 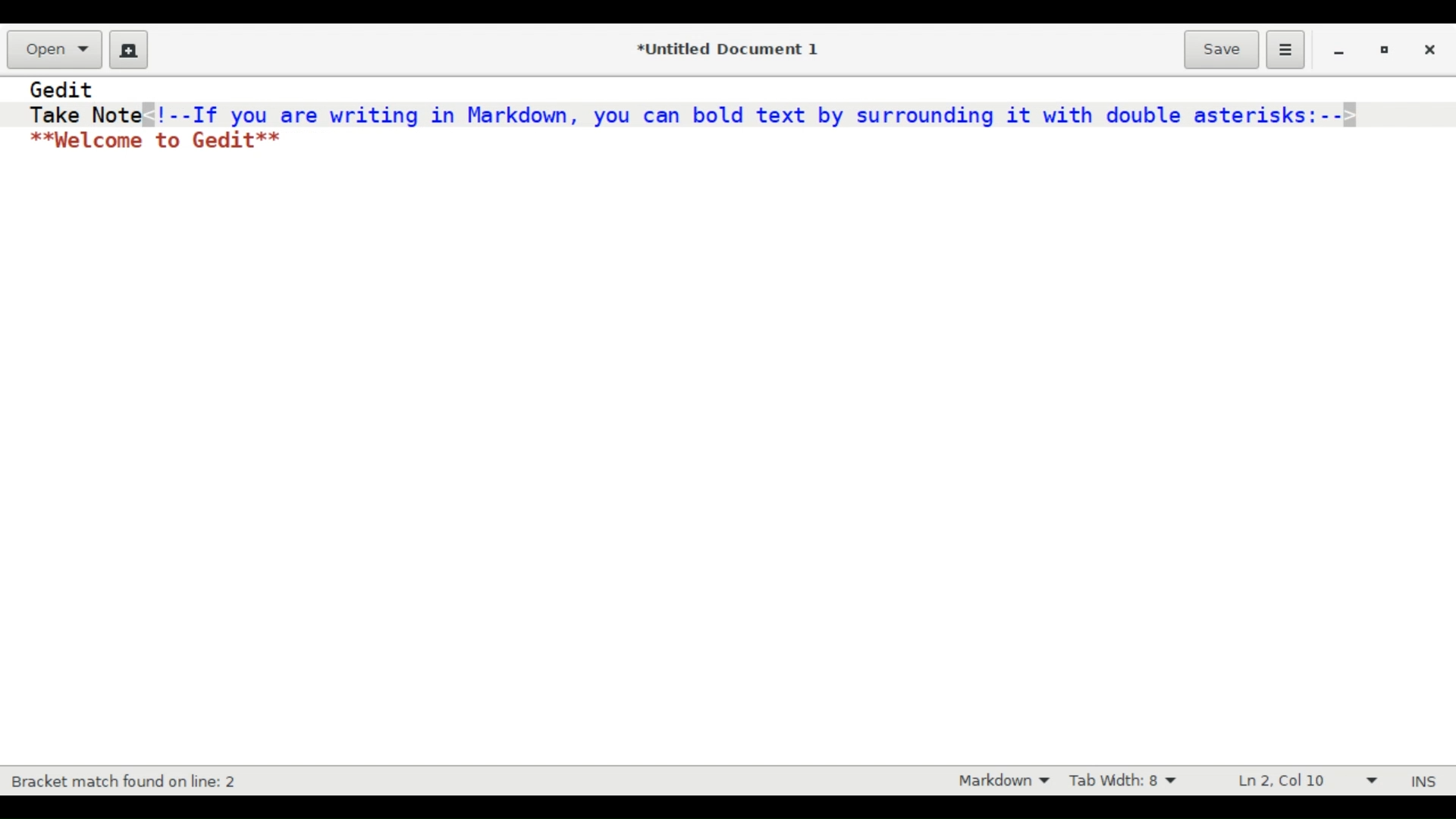 What do you see at coordinates (726, 50) in the screenshot?
I see `*Untitled Document 1` at bounding box center [726, 50].